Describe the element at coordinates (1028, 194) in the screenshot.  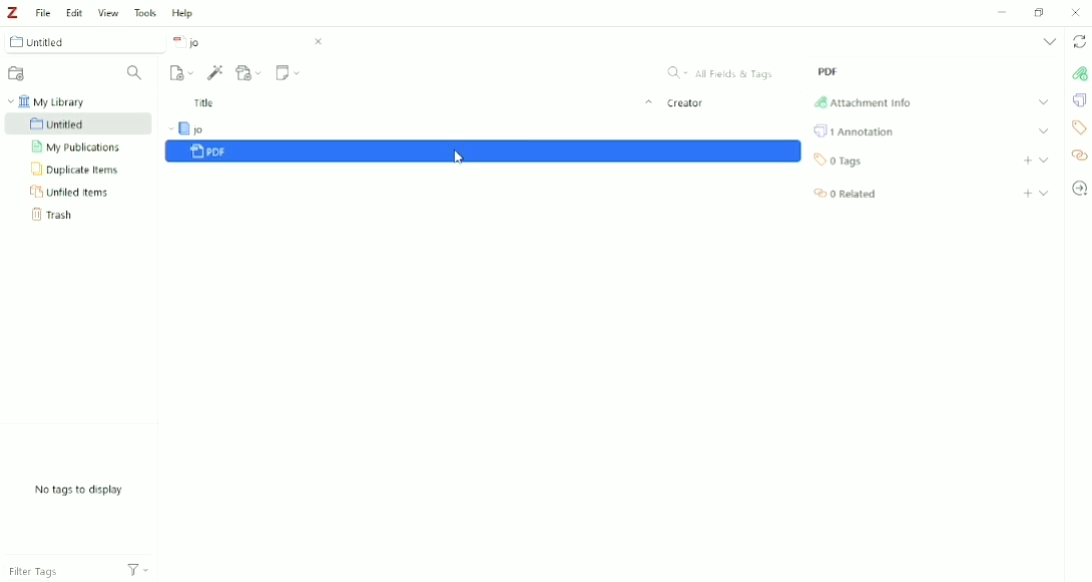
I see `Add` at that location.